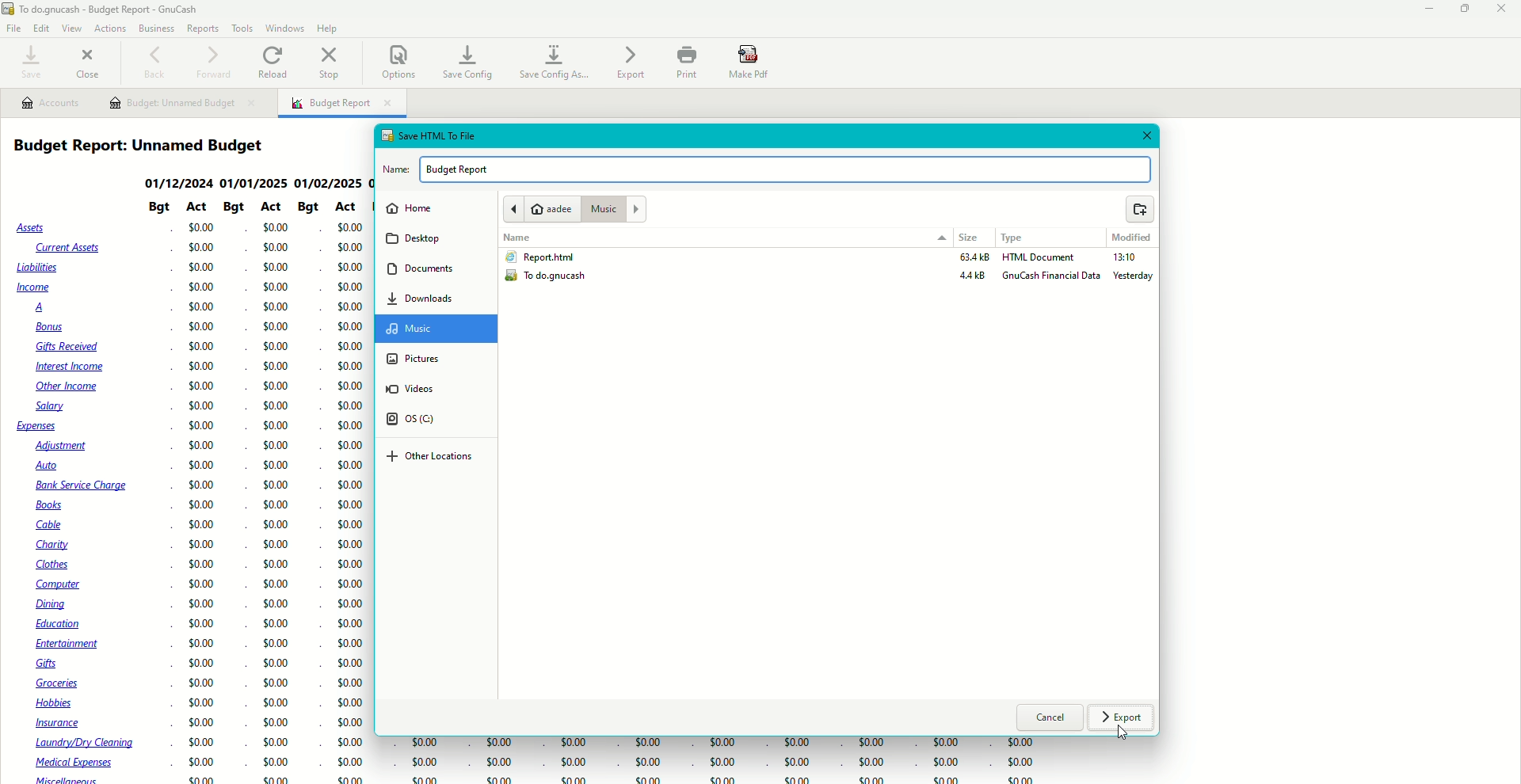 Image resolution: width=1521 pixels, height=784 pixels. Describe the element at coordinates (711, 761) in the screenshot. I see `$0` at that location.